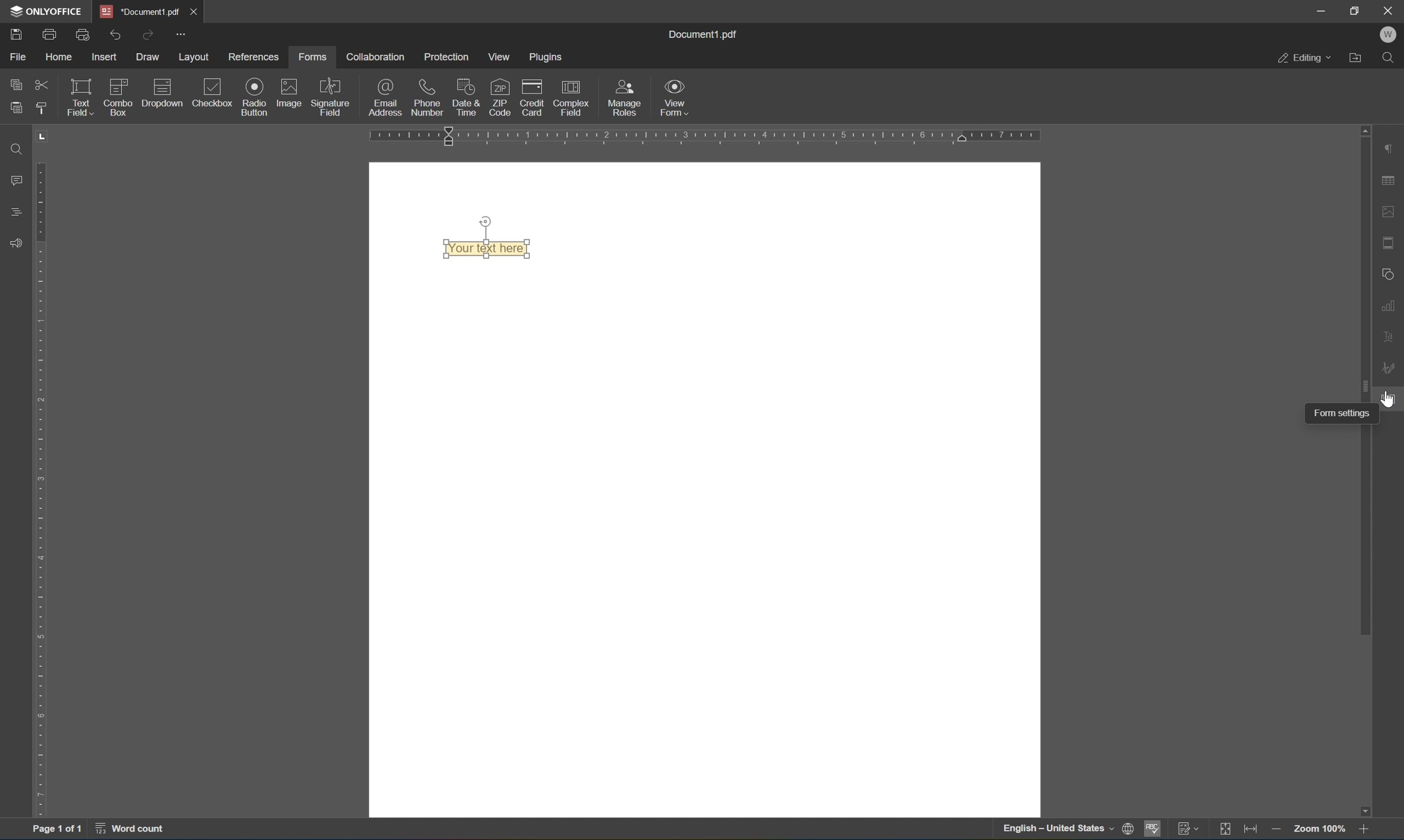 Image resolution: width=1404 pixels, height=840 pixels. What do you see at coordinates (1320, 10) in the screenshot?
I see `minimize` at bounding box center [1320, 10].